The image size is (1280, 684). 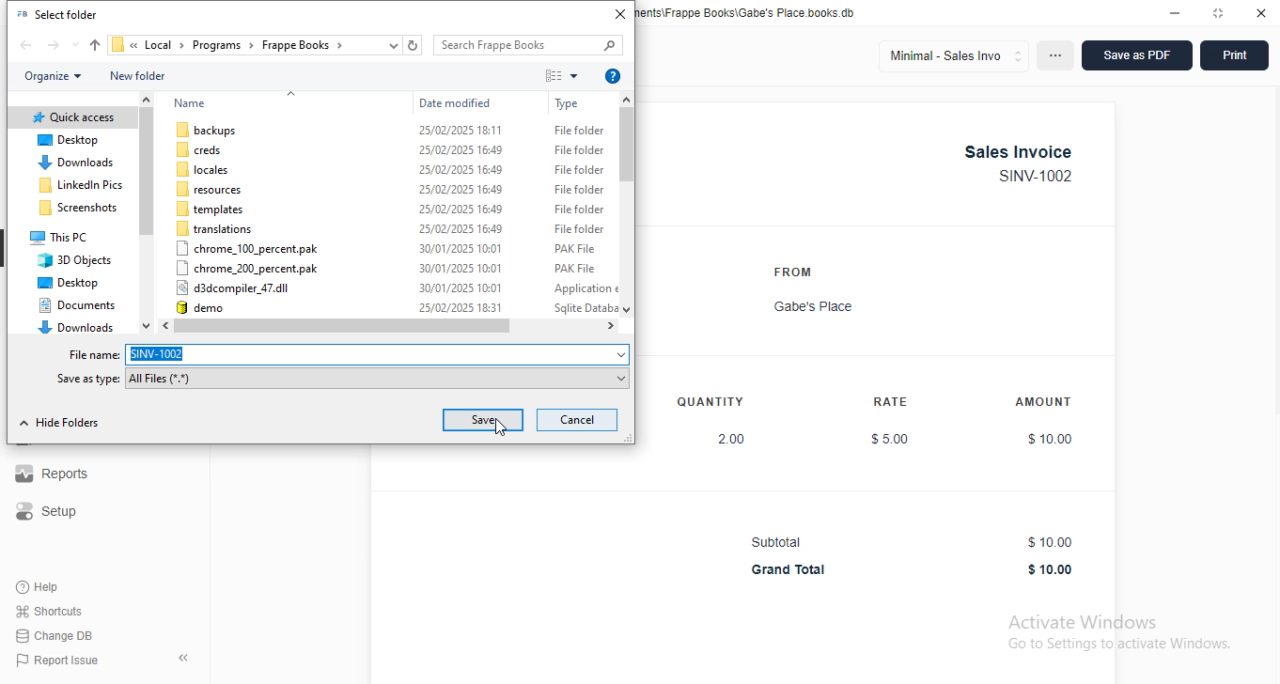 What do you see at coordinates (77, 305) in the screenshot?
I see `documents` at bounding box center [77, 305].